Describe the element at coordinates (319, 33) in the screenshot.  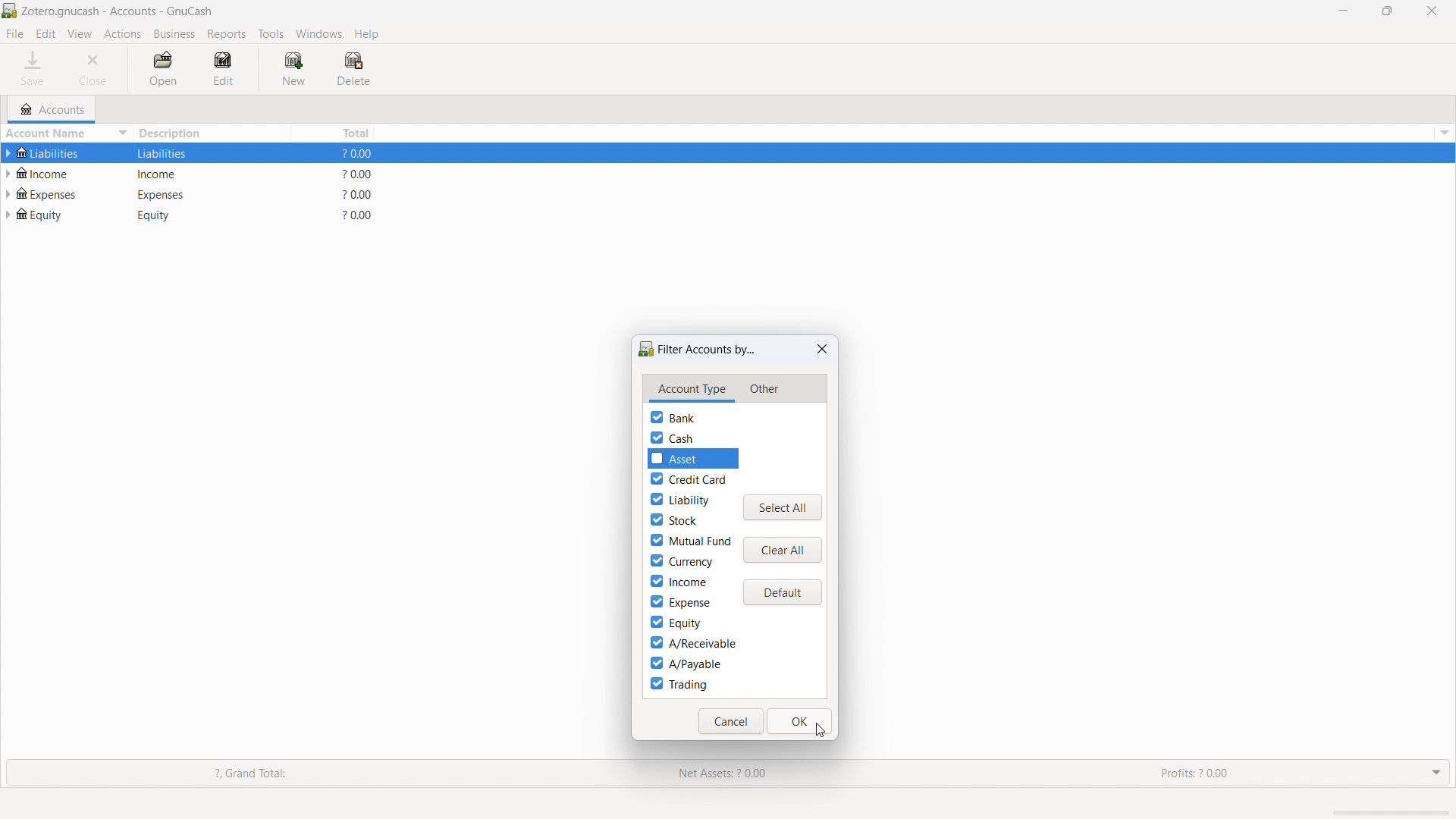
I see `windows` at that location.